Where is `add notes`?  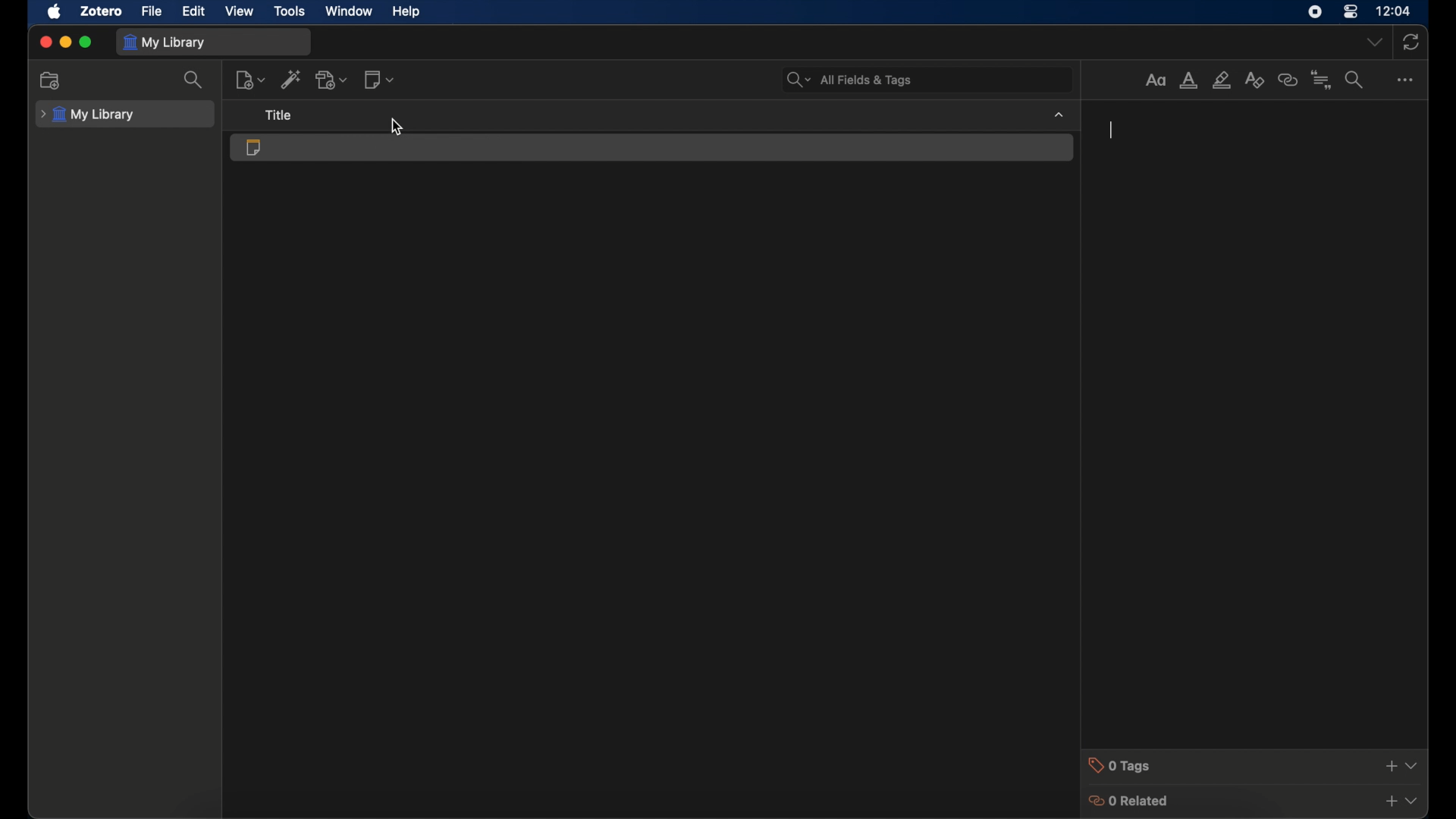 add notes is located at coordinates (381, 80).